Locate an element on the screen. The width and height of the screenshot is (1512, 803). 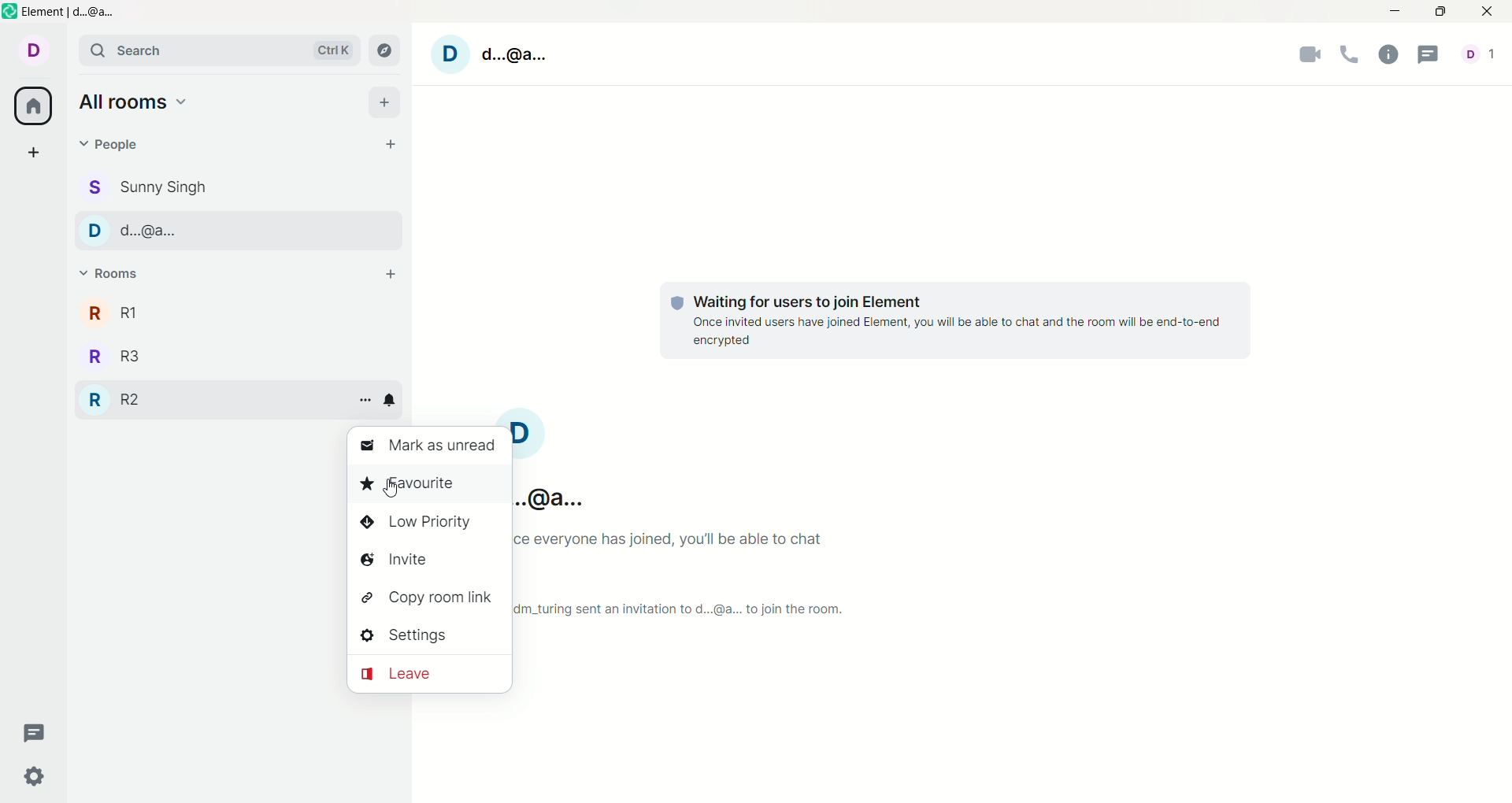
close is located at coordinates (1493, 12).